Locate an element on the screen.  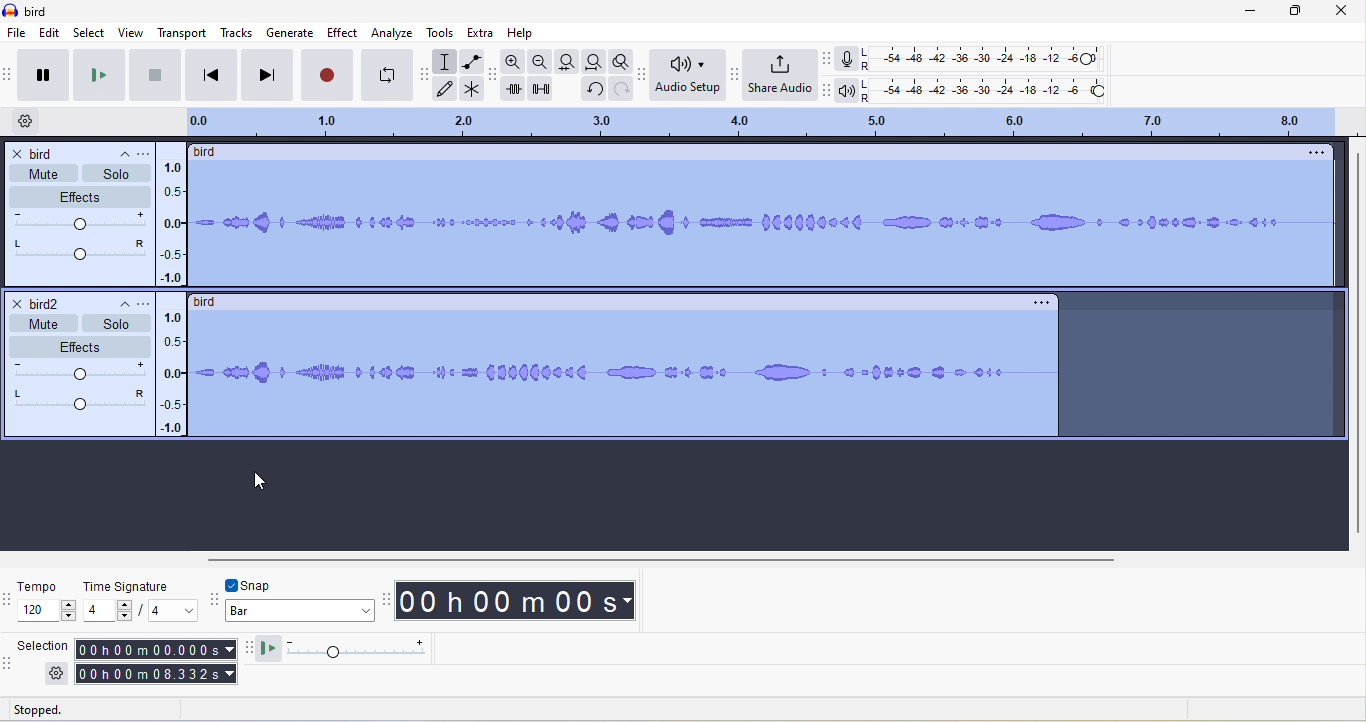
solo is located at coordinates (117, 171).